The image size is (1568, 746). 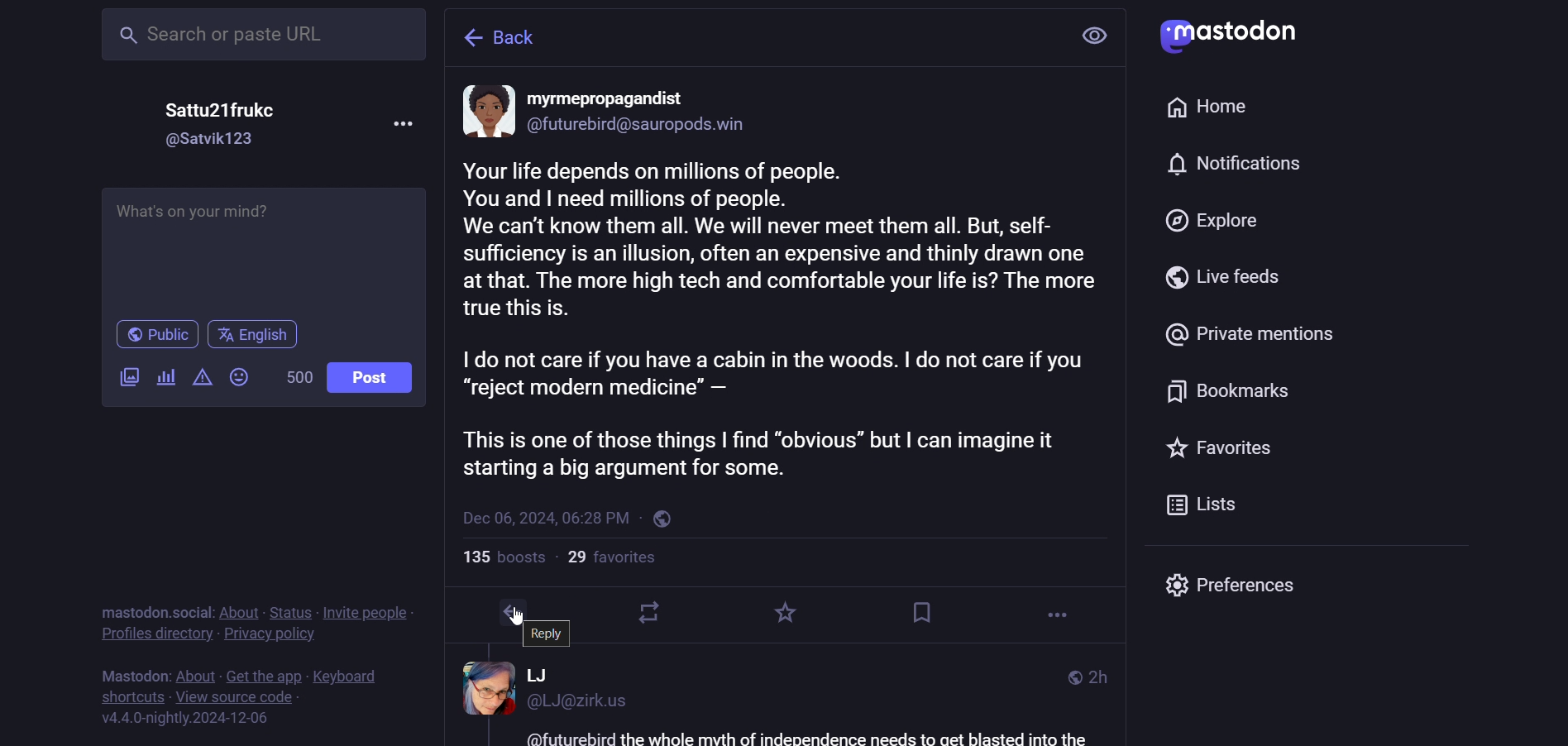 What do you see at coordinates (372, 380) in the screenshot?
I see `post` at bounding box center [372, 380].